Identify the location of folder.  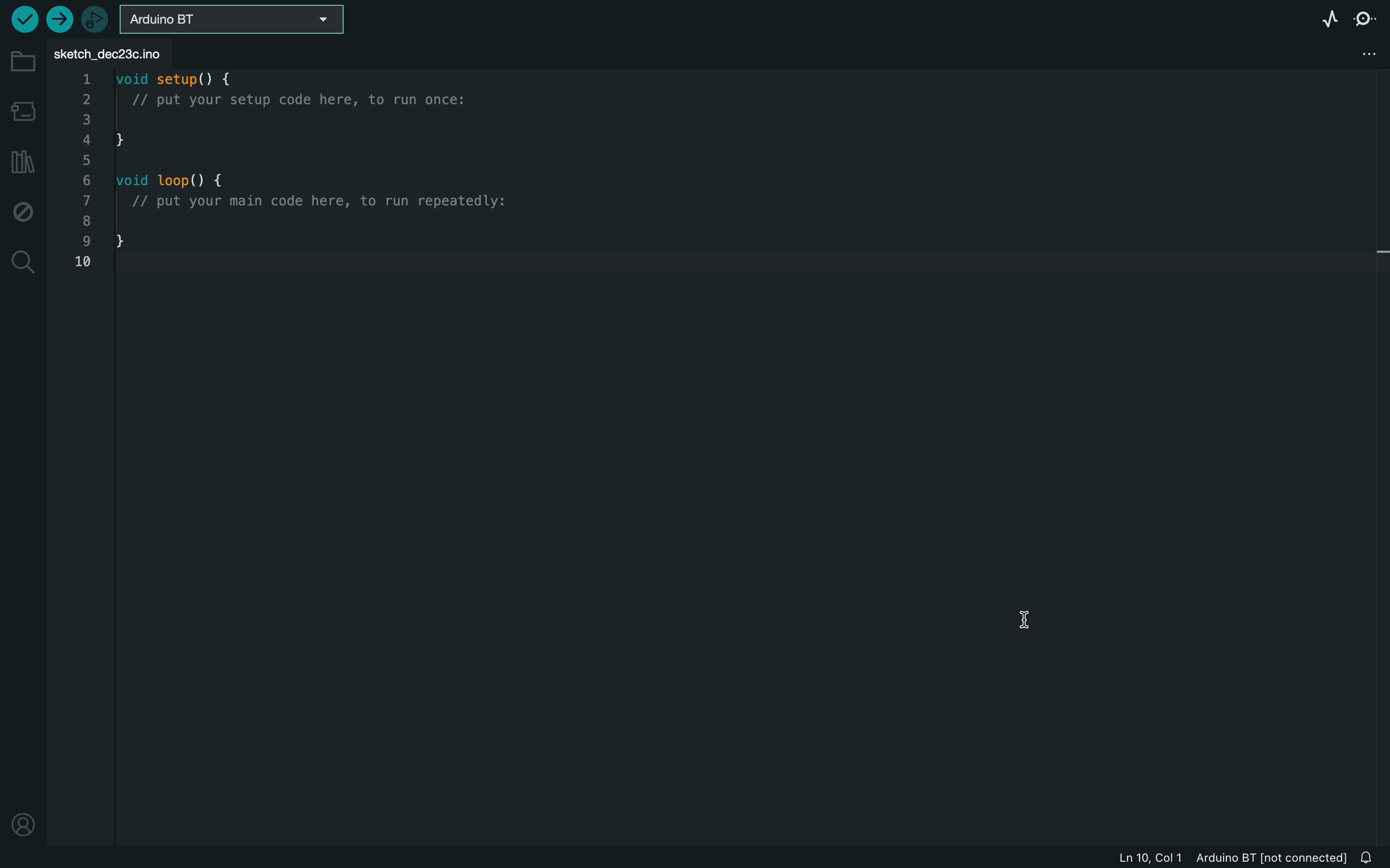
(24, 63).